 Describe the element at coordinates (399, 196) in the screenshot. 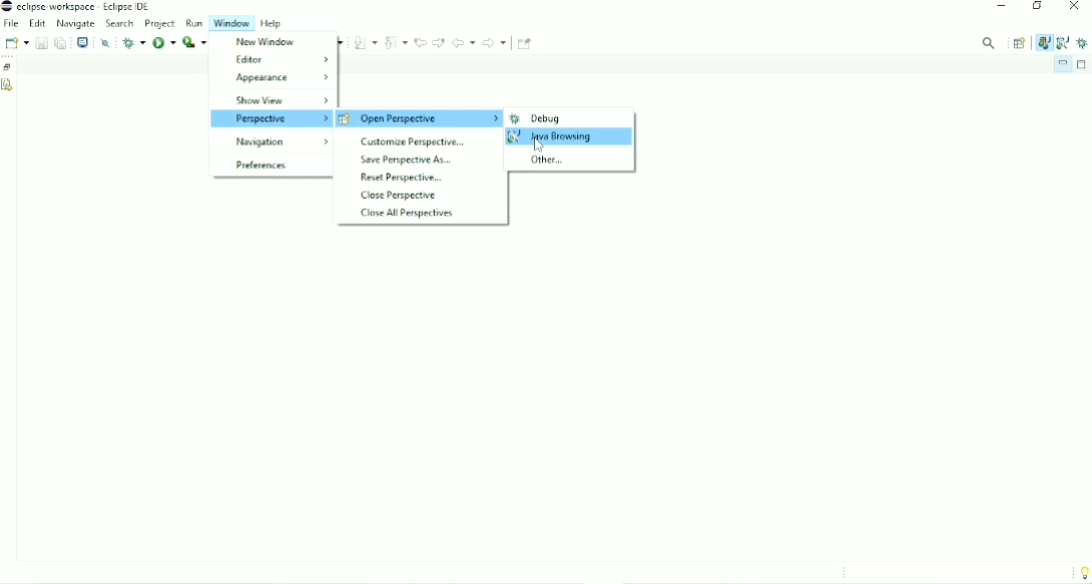

I see `Close Perspective` at that location.